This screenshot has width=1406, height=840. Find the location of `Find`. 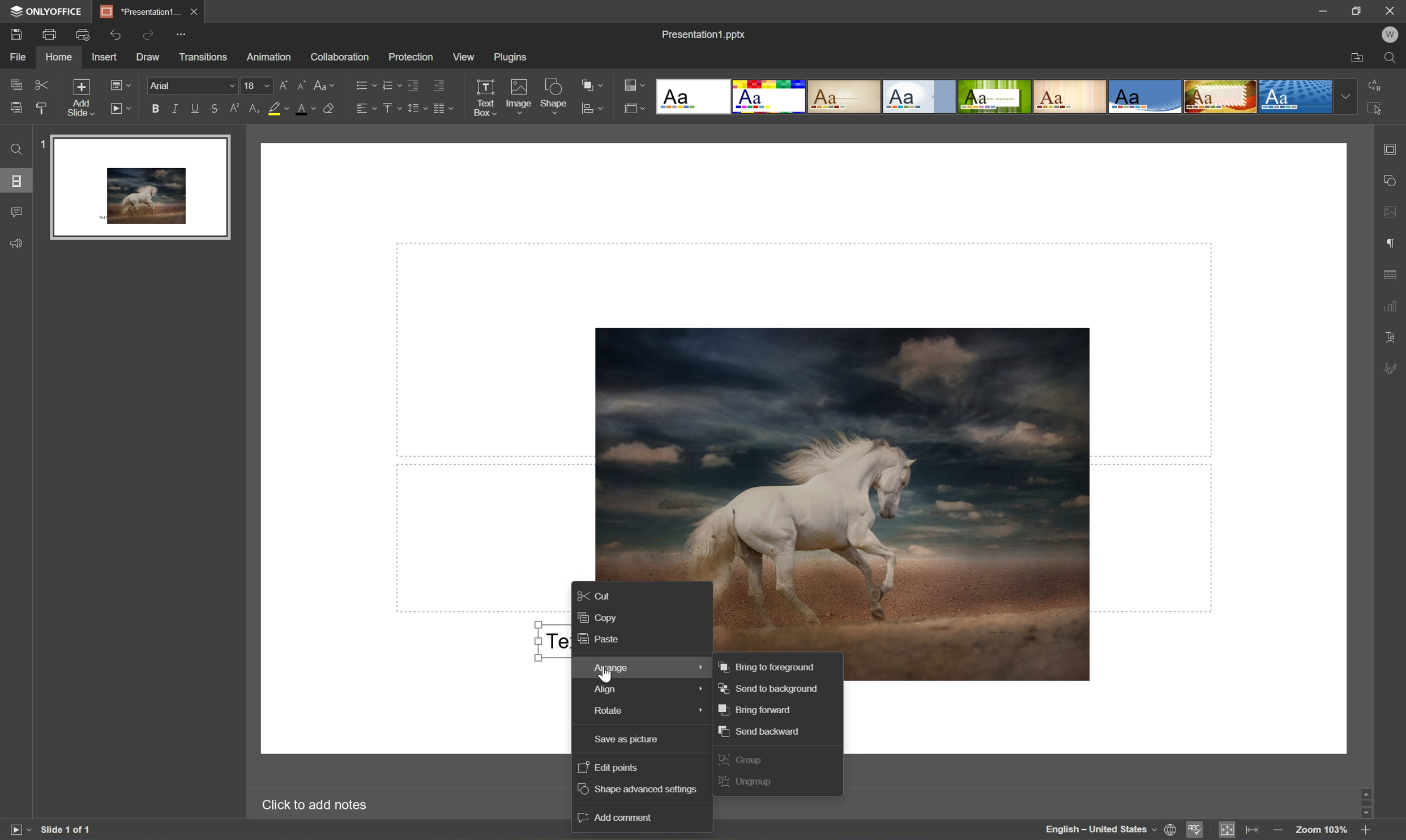

Find is located at coordinates (17, 150).